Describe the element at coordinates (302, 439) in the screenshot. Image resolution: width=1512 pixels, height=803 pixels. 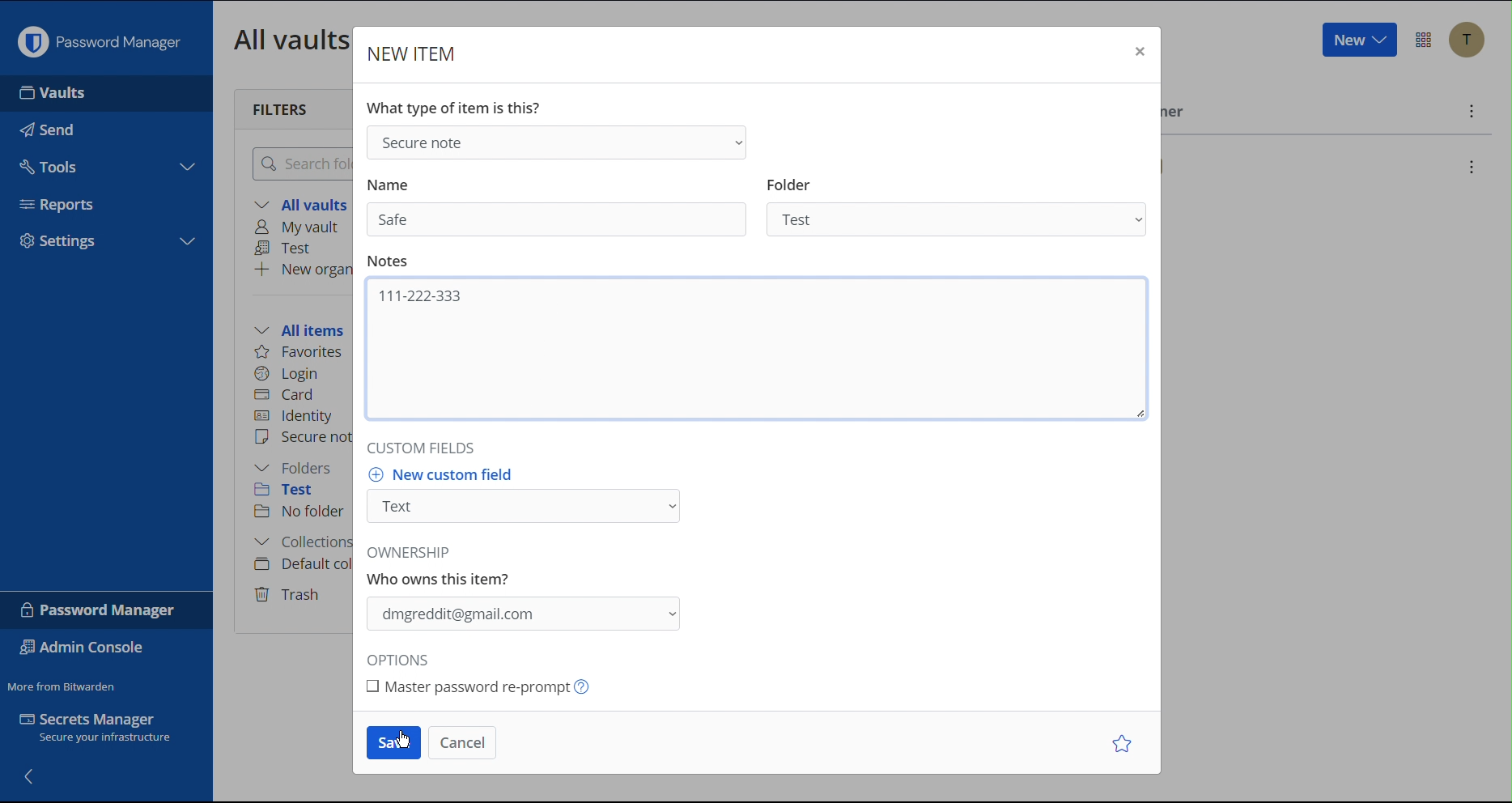
I see `Secure` at that location.